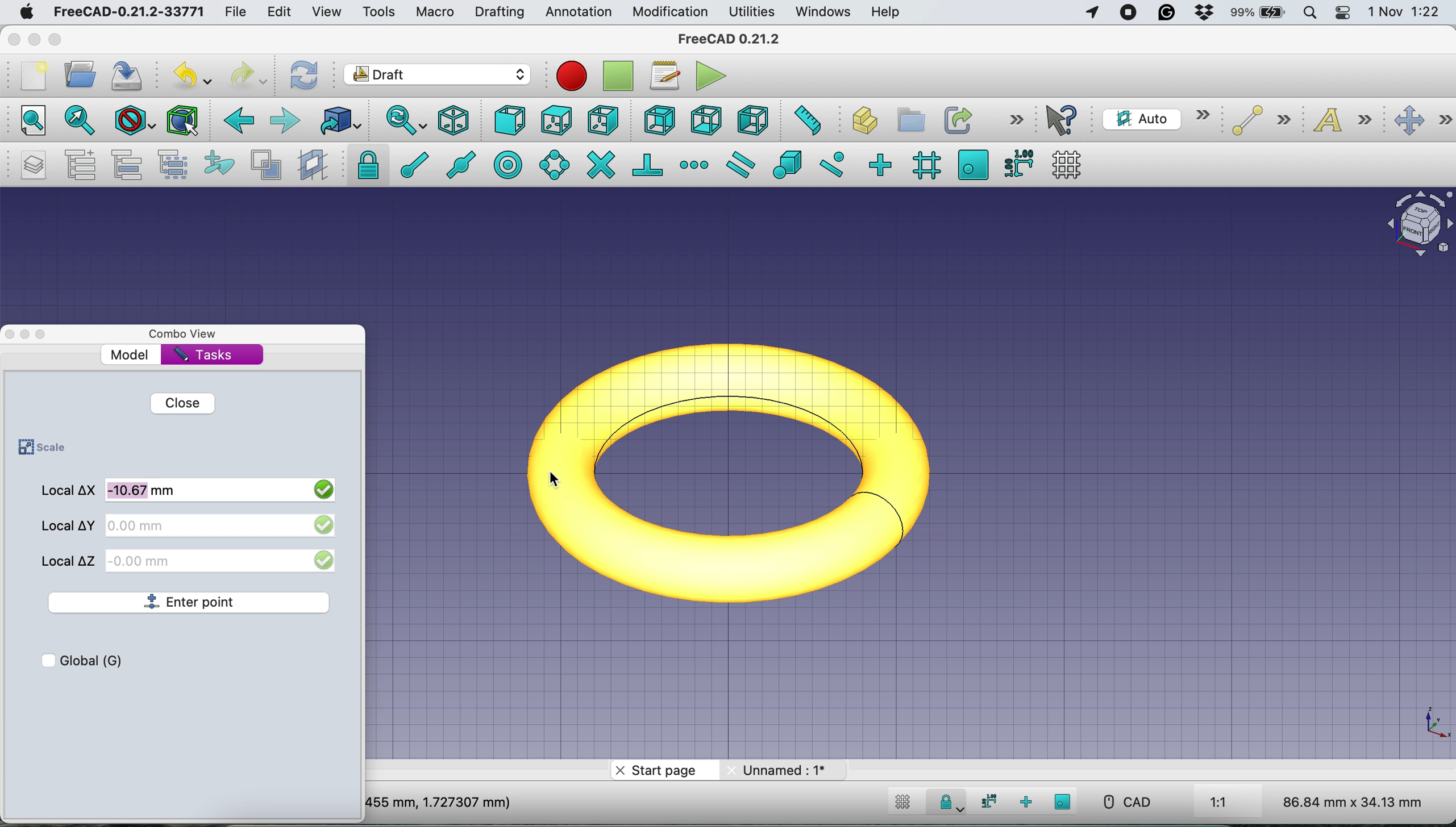 This screenshot has width=1456, height=827. I want to click on toggle grid, so click(903, 804).